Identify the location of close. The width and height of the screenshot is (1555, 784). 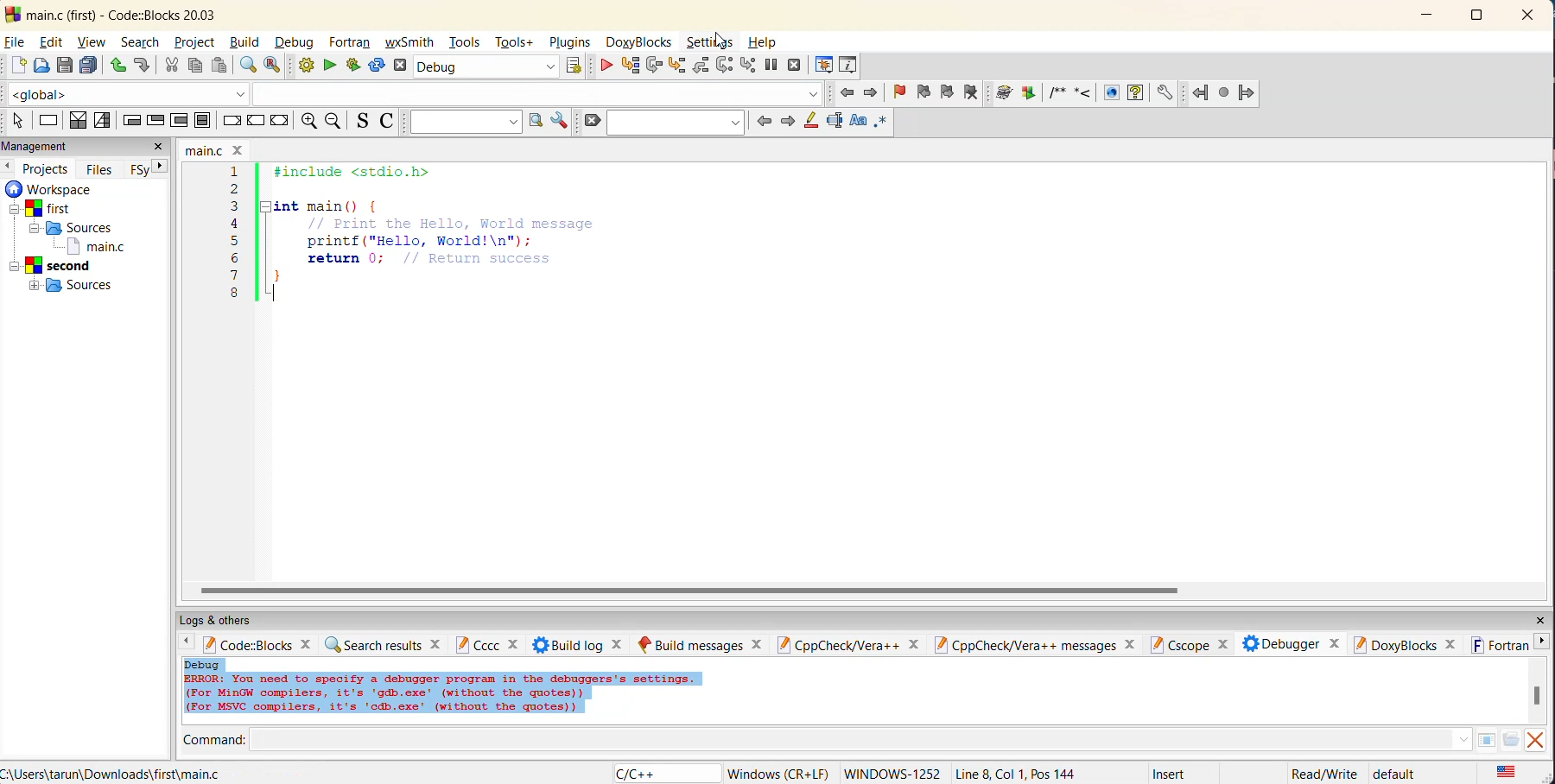
(158, 148).